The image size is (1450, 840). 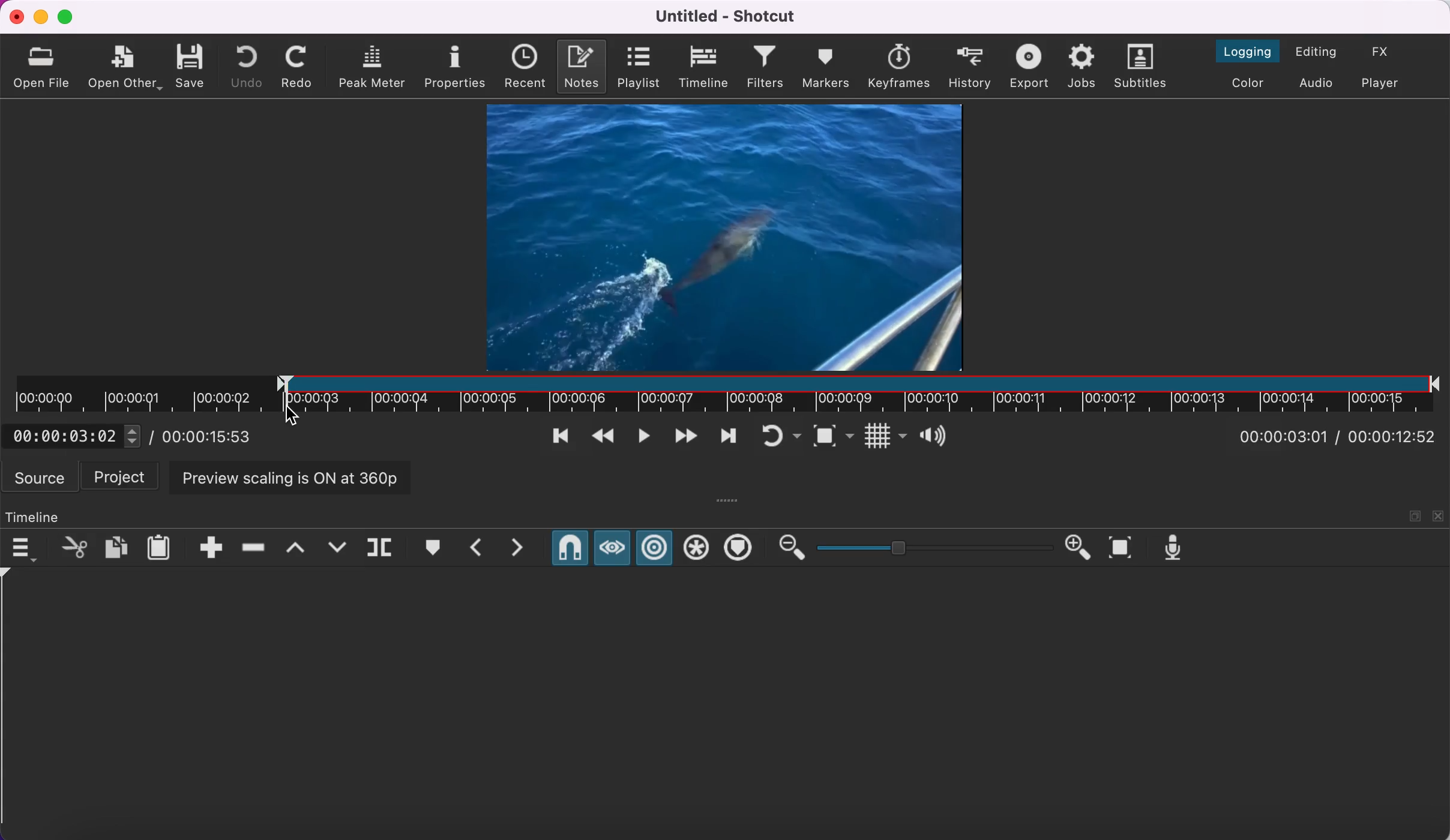 I want to click on append, so click(x=210, y=547).